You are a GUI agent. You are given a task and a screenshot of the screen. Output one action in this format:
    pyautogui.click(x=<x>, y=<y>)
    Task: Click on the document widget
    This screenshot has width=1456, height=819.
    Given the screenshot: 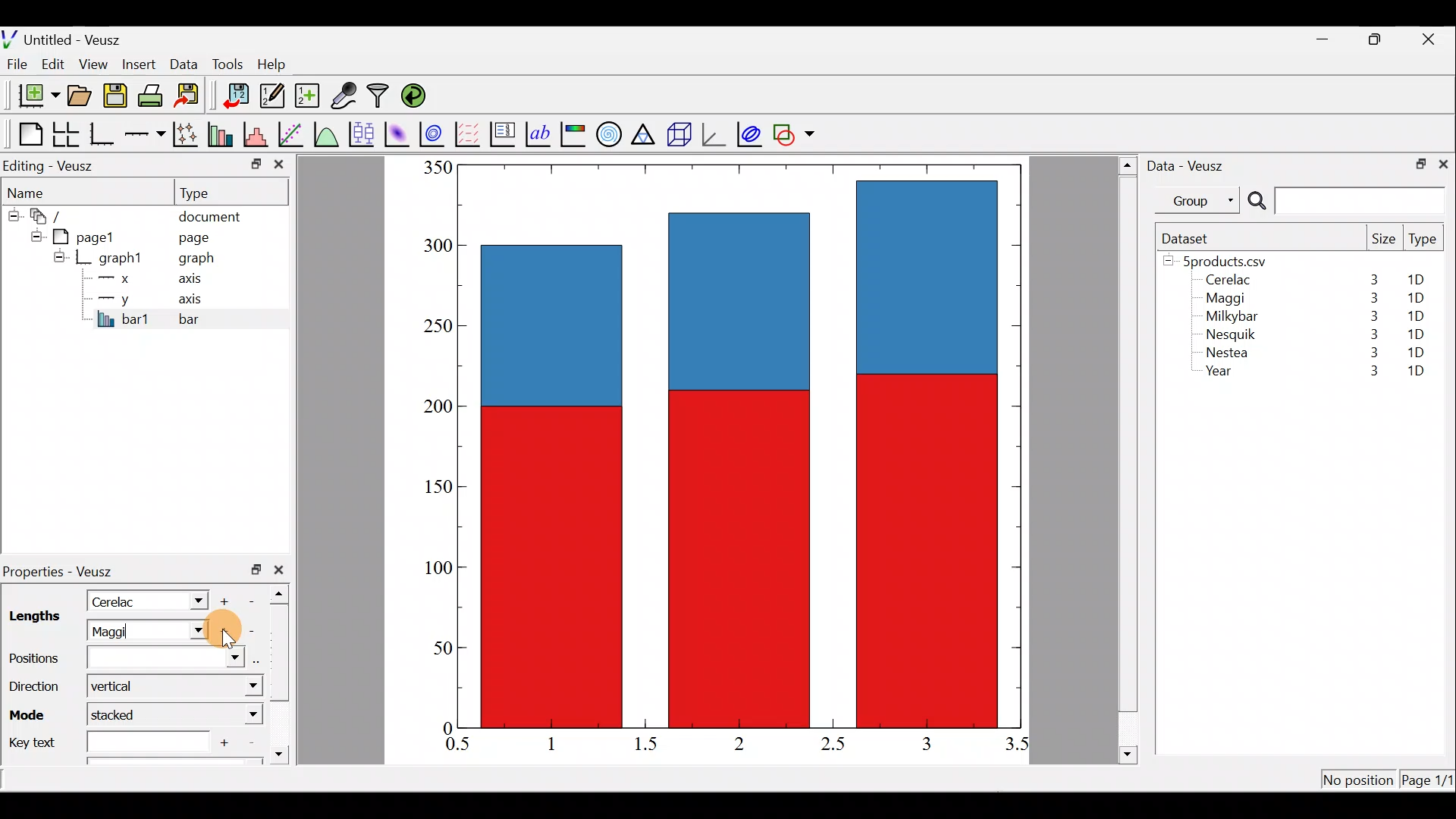 What is the action you would take?
    pyautogui.click(x=54, y=214)
    